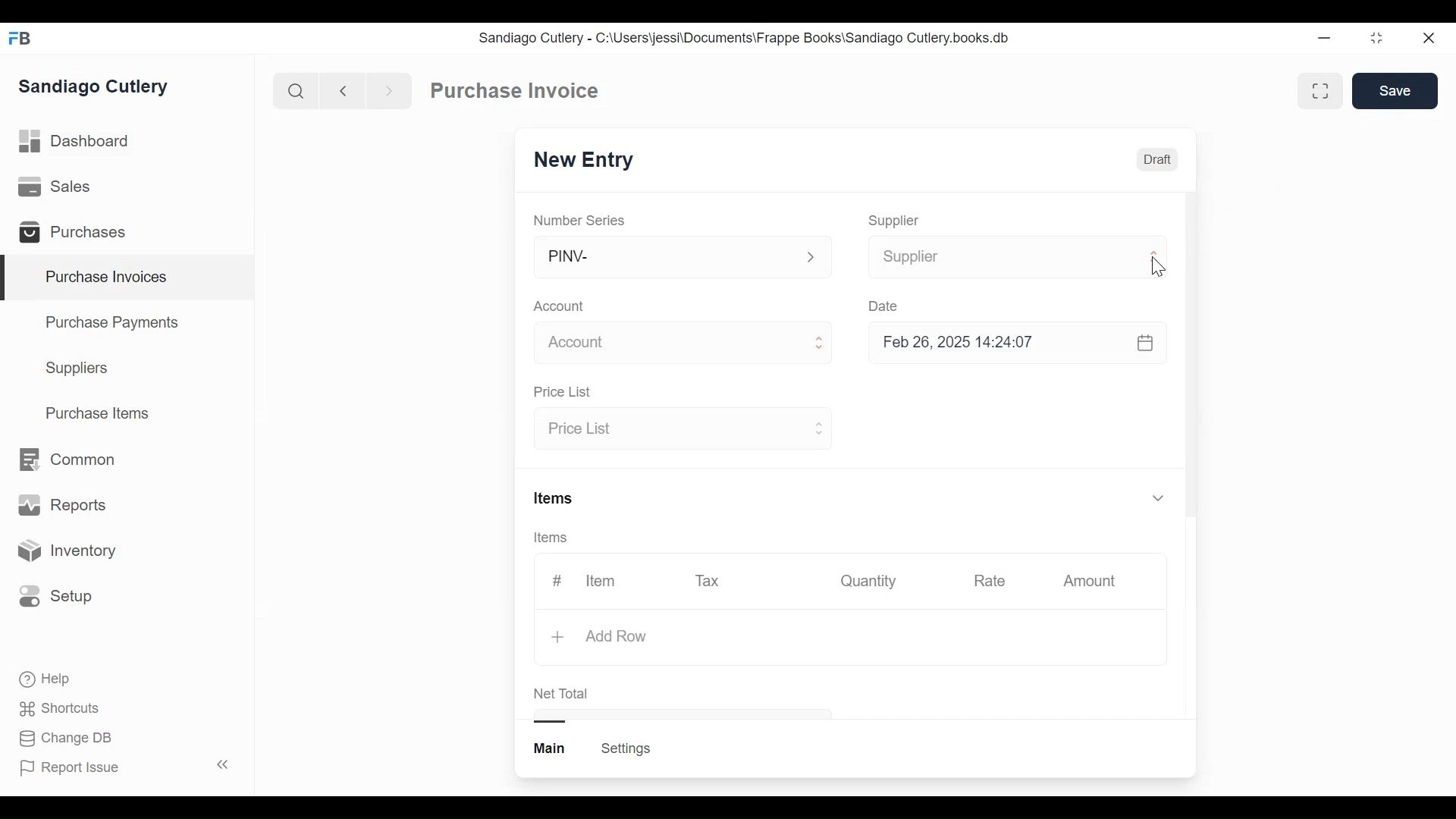  I want to click on Price List, so click(669, 430).